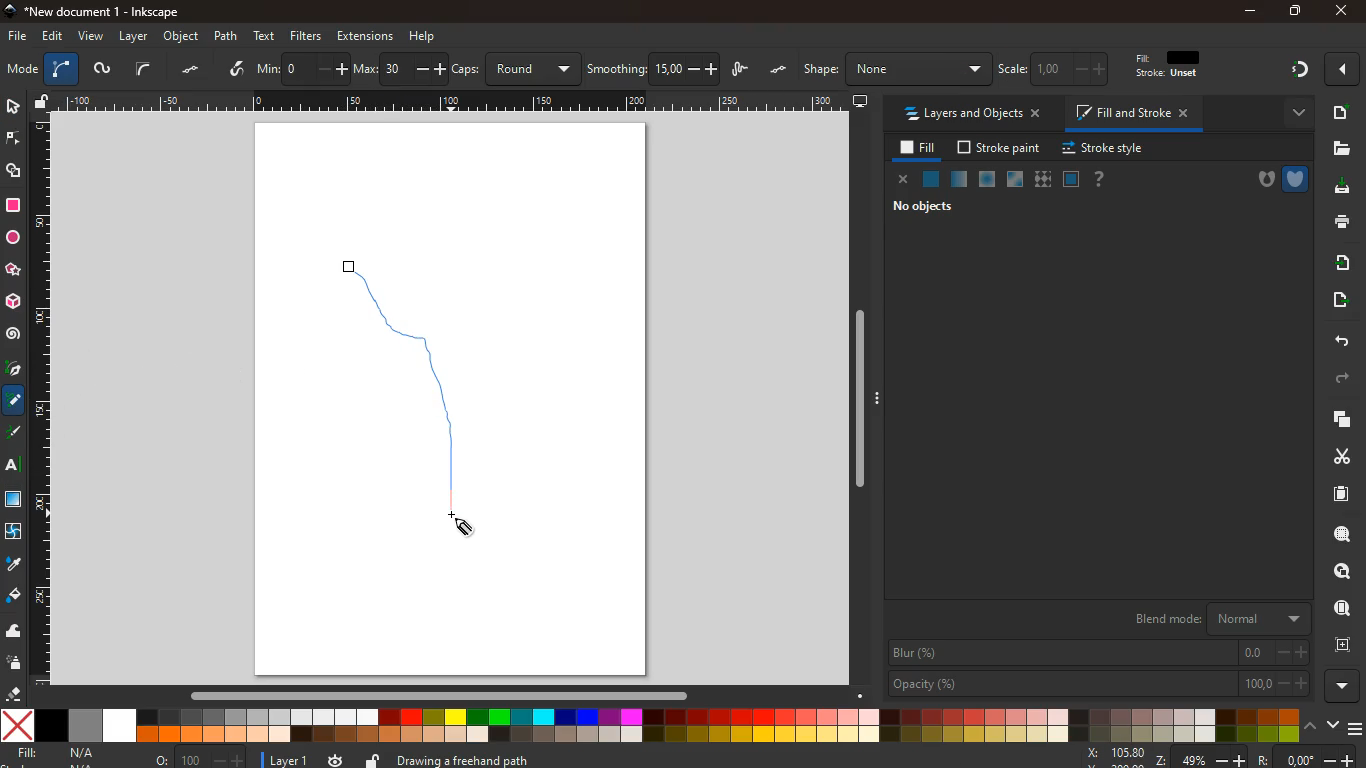 This screenshot has width=1366, height=768. Describe the element at coordinates (651, 725) in the screenshot. I see `color` at that location.